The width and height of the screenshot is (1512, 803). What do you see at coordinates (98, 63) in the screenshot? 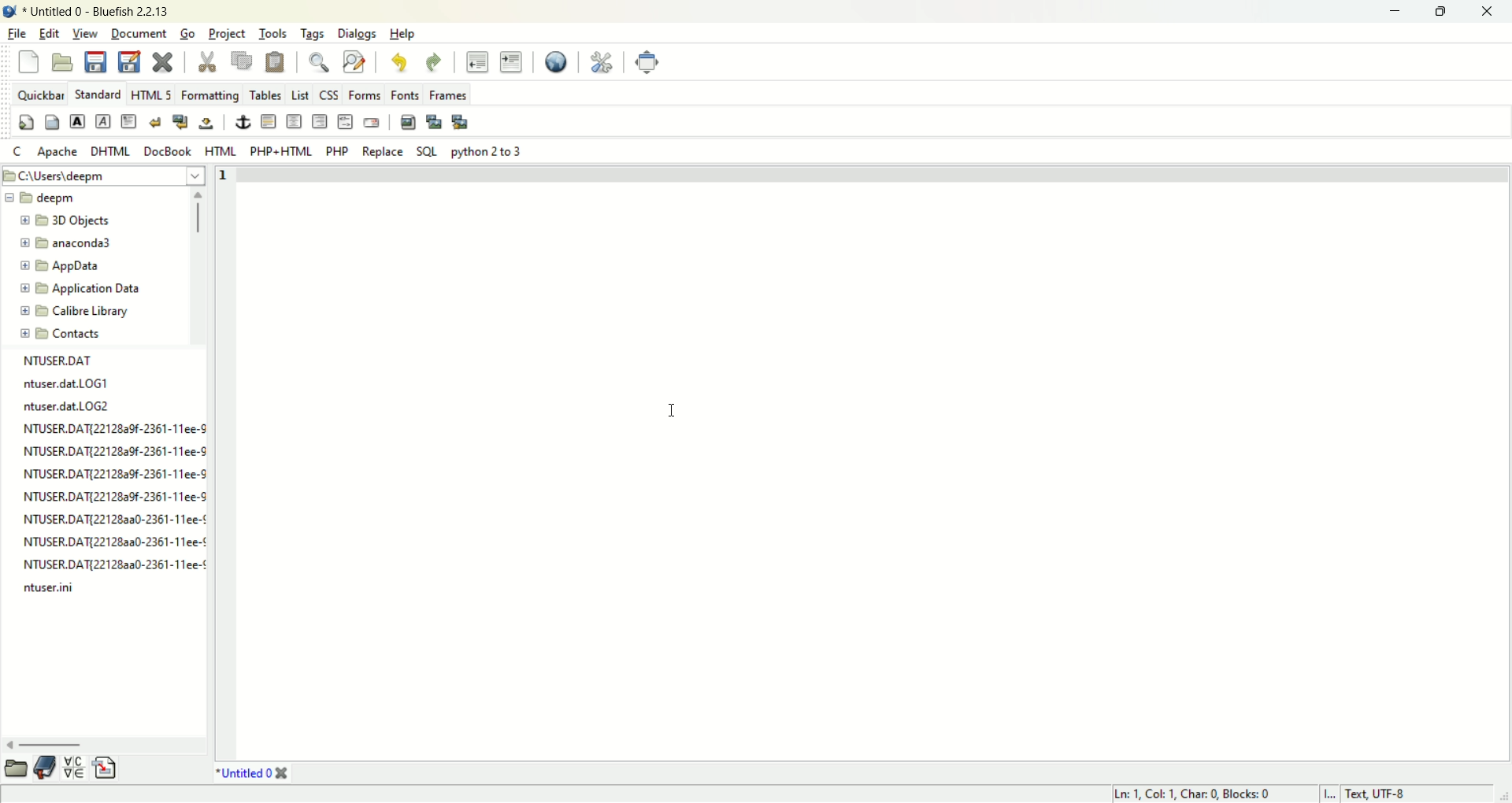
I see `save` at bounding box center [98, 63].